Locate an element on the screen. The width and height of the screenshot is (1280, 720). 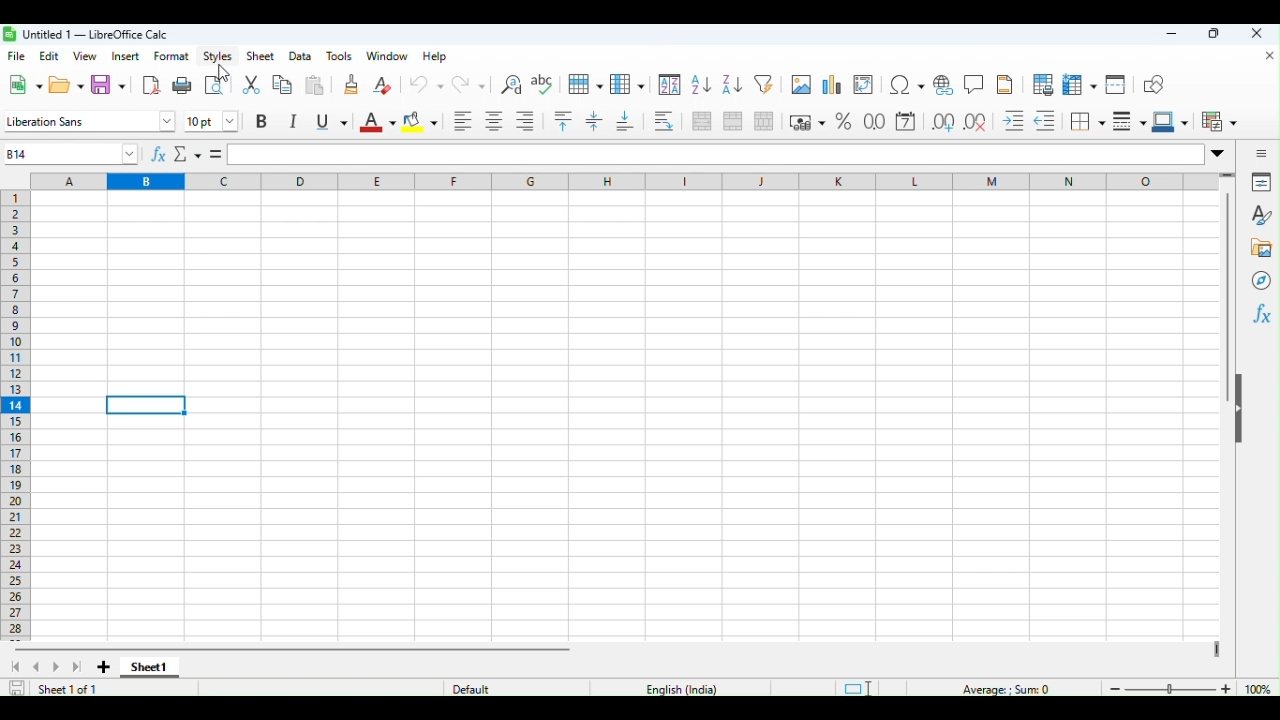
Borders is located at coordinates (1086, 123).